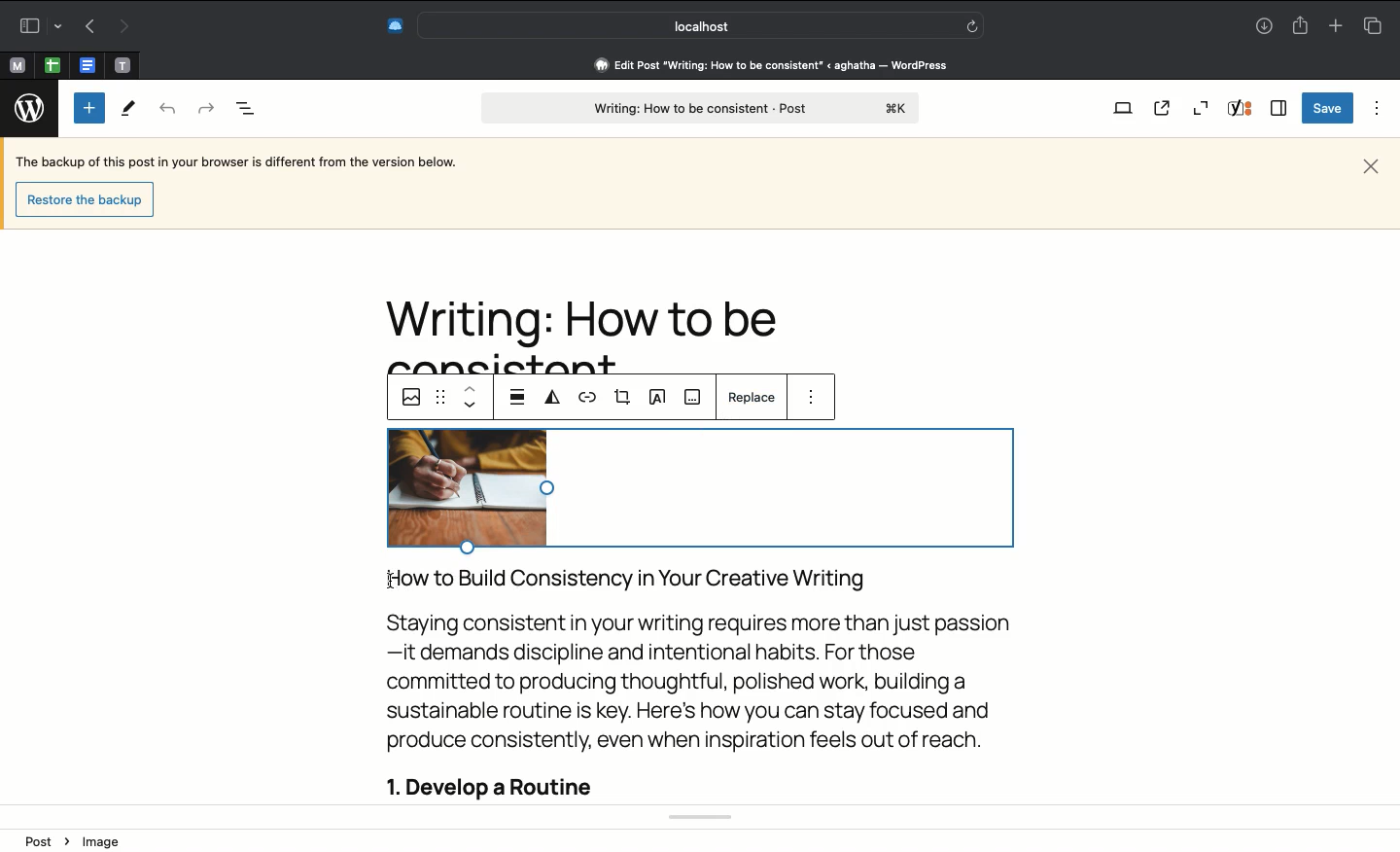  What do you see at coordinates (410, 396) in the screenshot?
I see `Images` at bounding box center [410, 396].